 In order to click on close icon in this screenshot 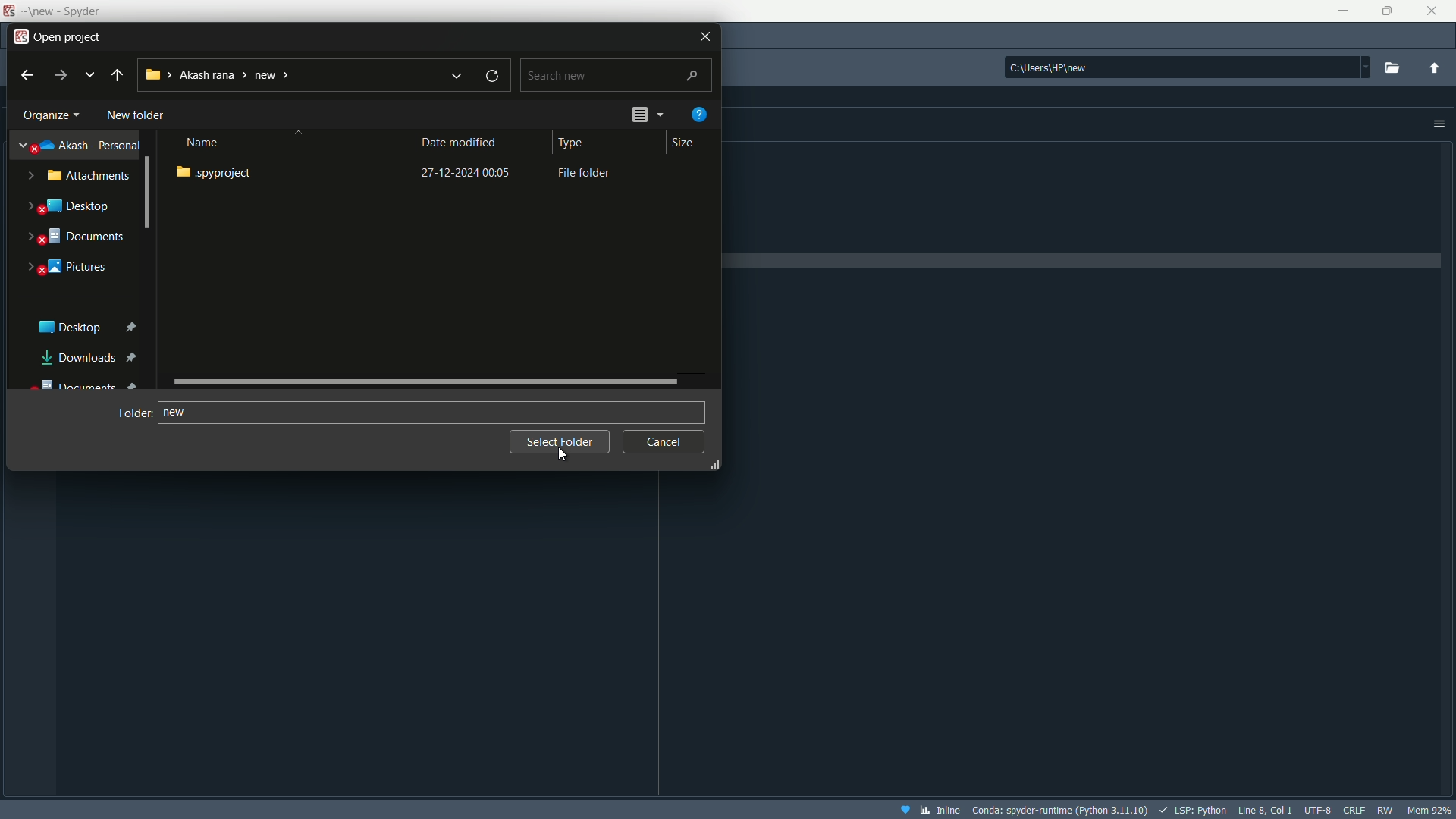, I will do `click(704, 35)`.